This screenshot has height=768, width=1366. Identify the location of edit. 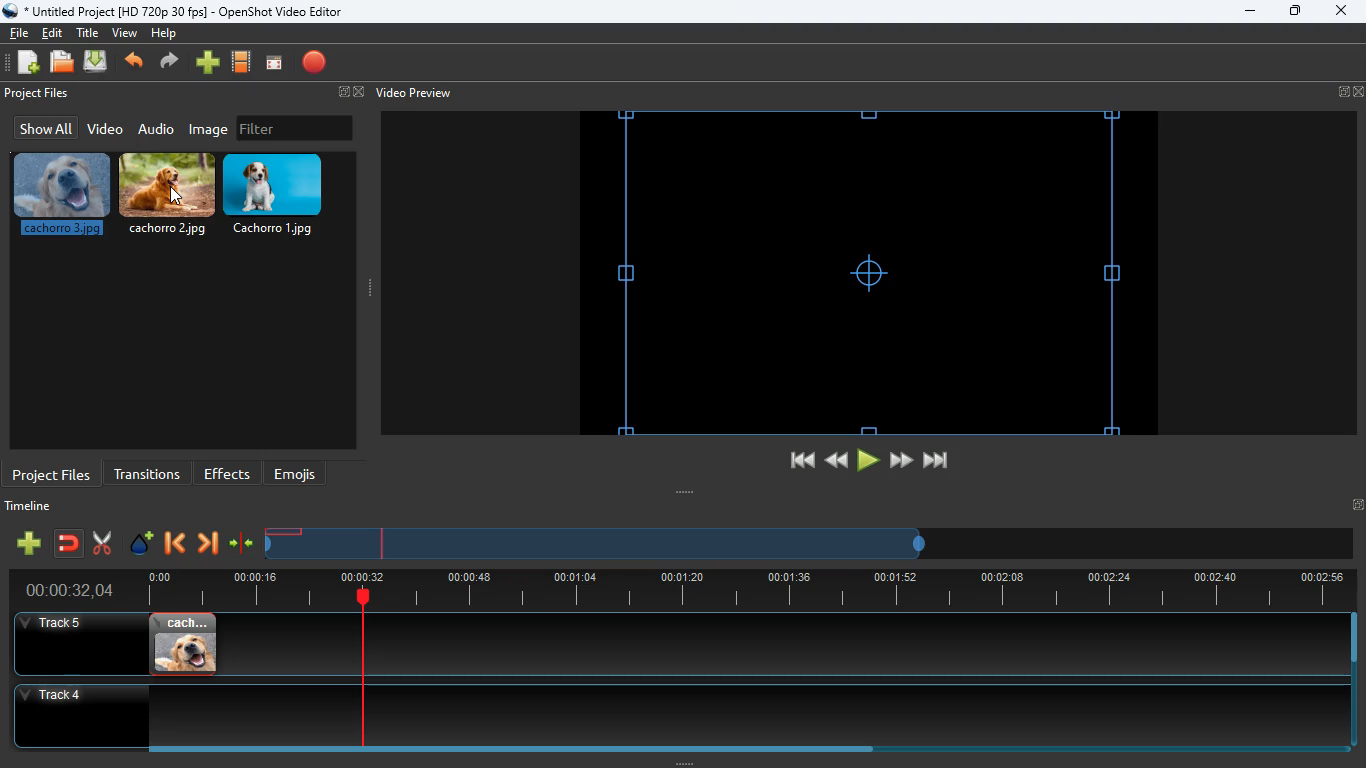
(55, 33).